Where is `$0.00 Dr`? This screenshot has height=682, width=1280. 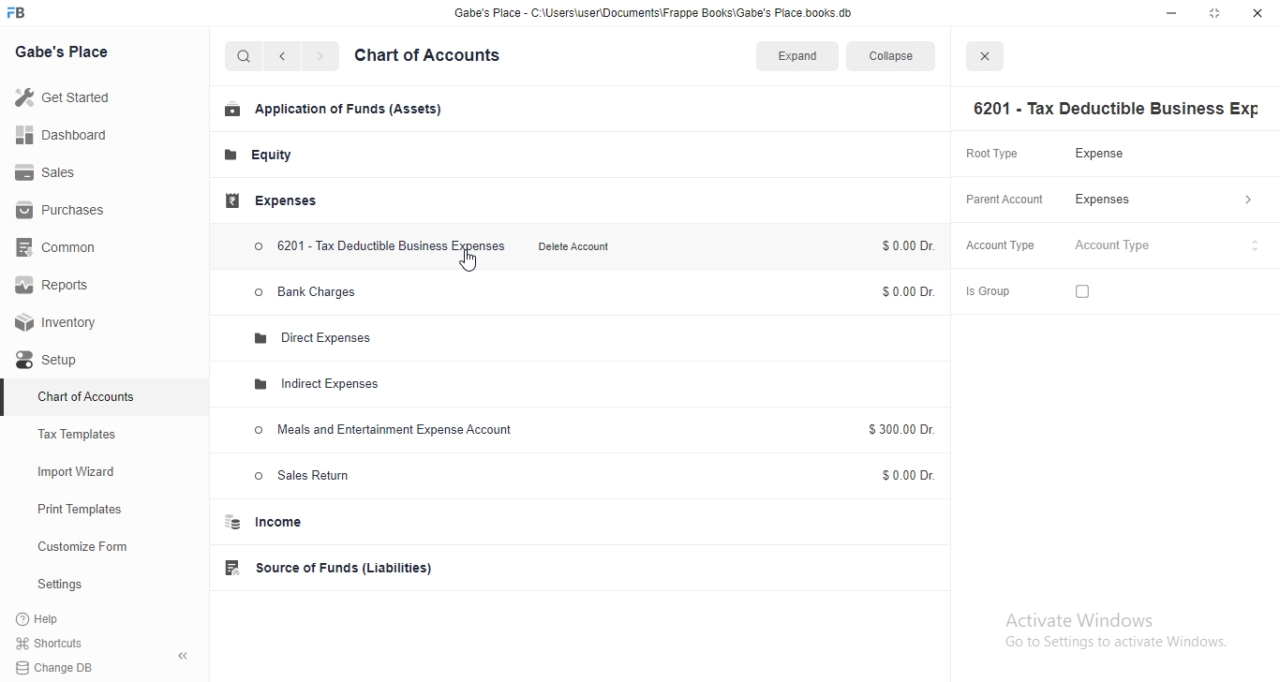 $0.00 Dr is located at coordinates (905, 292).